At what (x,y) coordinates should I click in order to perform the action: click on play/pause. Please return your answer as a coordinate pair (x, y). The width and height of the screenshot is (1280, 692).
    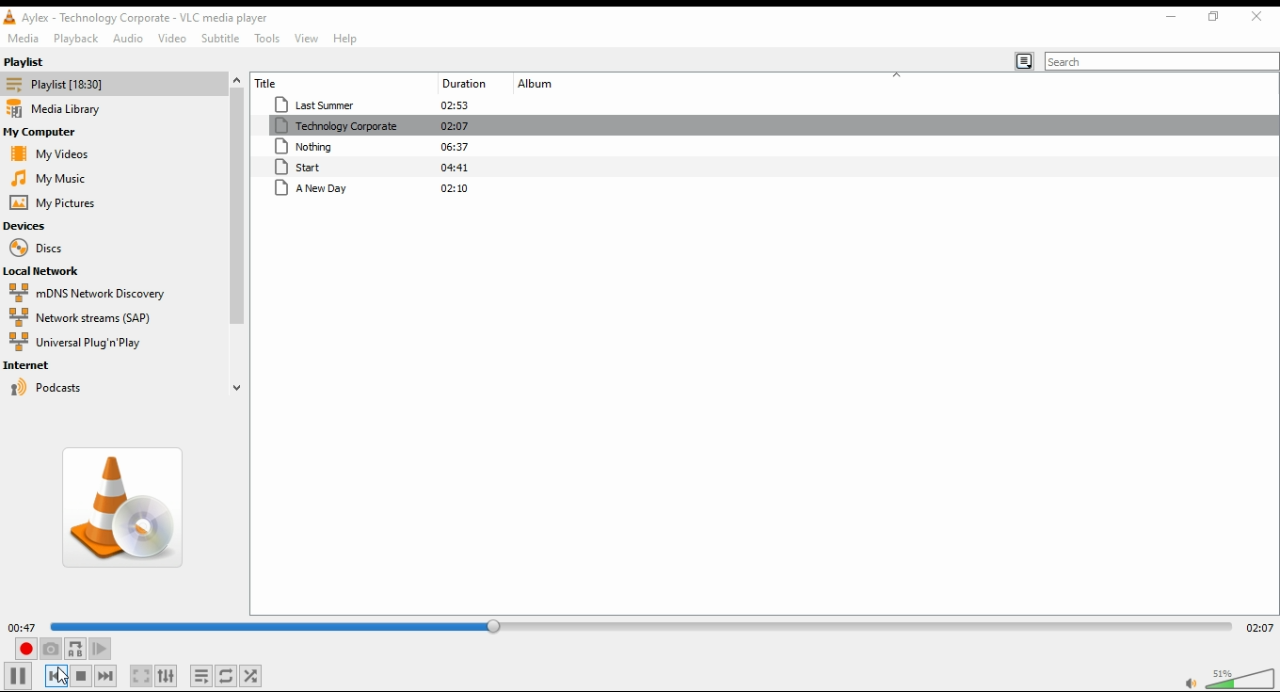
    Looking at the image, I should click on (18, 675).